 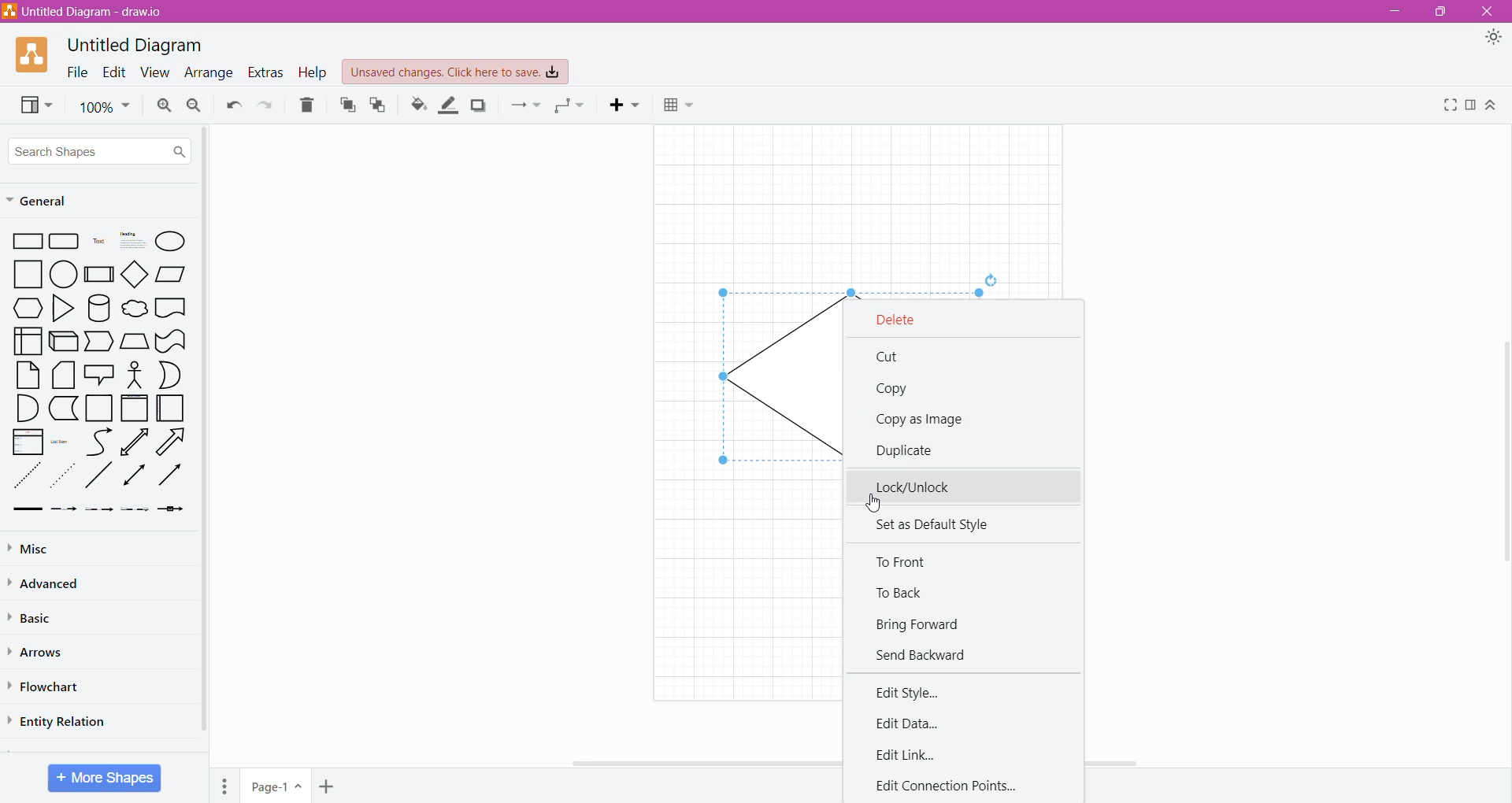 I want to click on Application Logo, so click(x=33, y=55).